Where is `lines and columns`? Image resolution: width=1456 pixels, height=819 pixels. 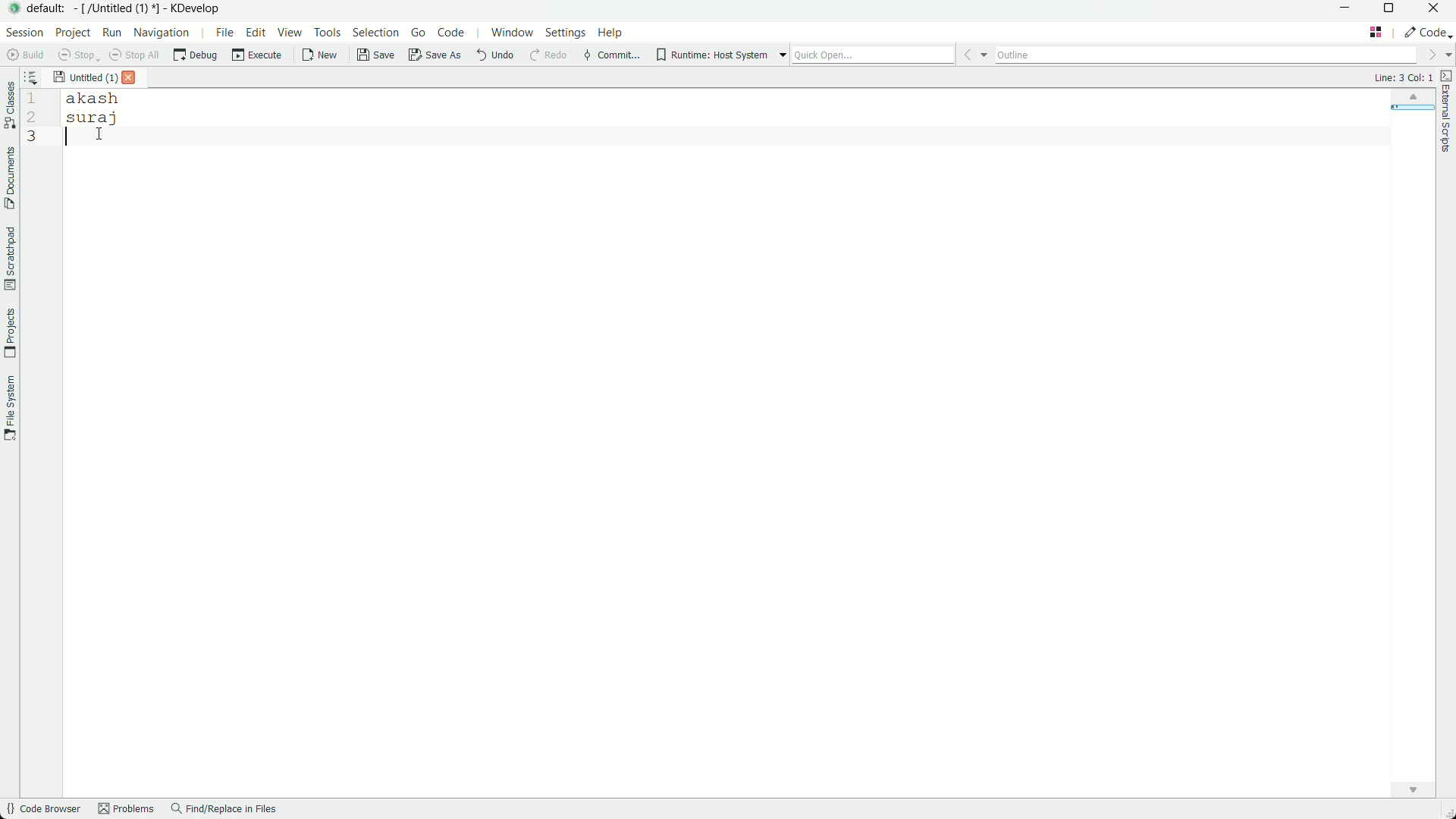 lines and columns is located at coordinates (1402, 77).